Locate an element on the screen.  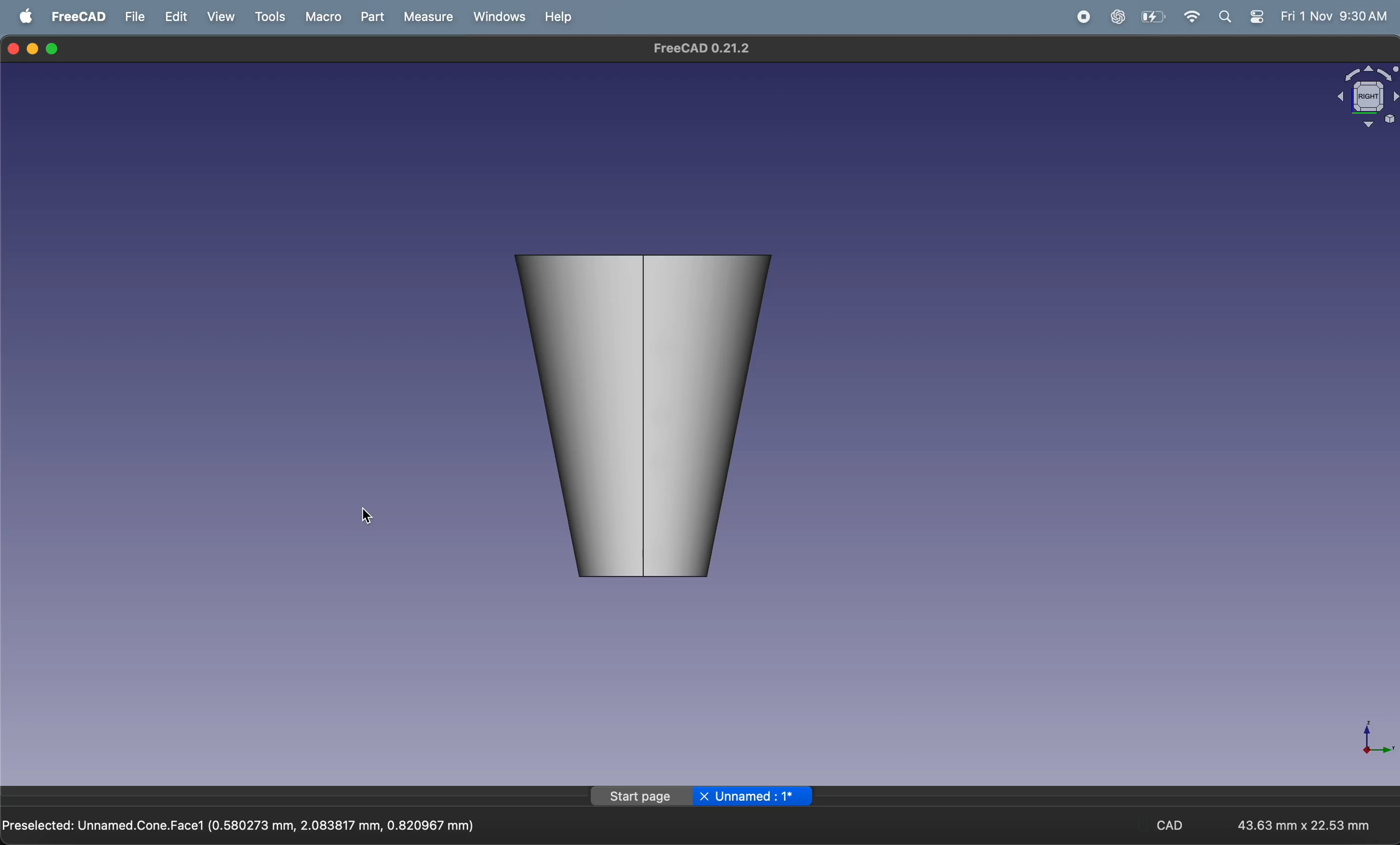
windows is located at coordinates (495, 16).